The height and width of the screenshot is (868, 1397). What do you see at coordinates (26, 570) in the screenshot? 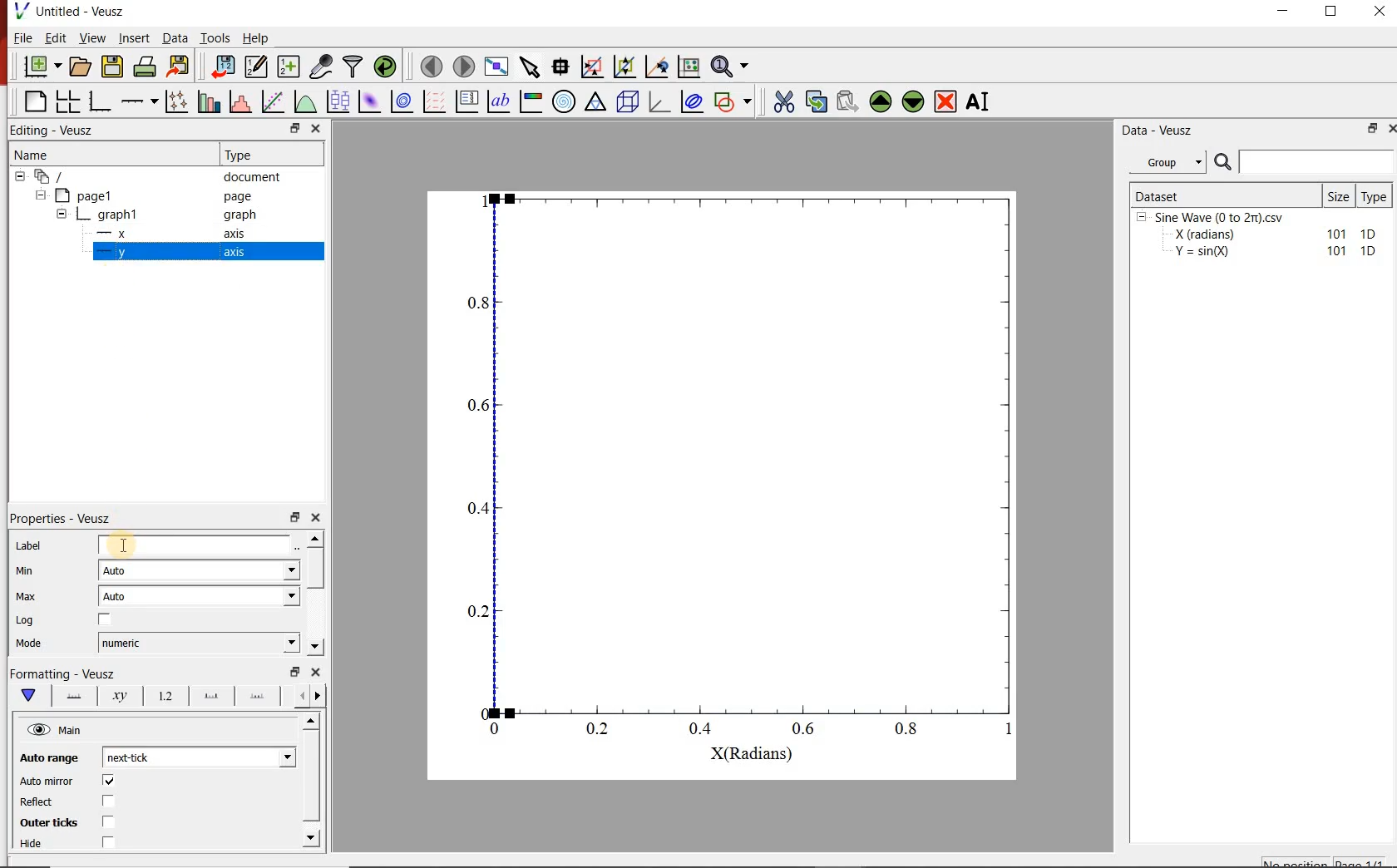
I see `Min` at bounding box center [26, 570].